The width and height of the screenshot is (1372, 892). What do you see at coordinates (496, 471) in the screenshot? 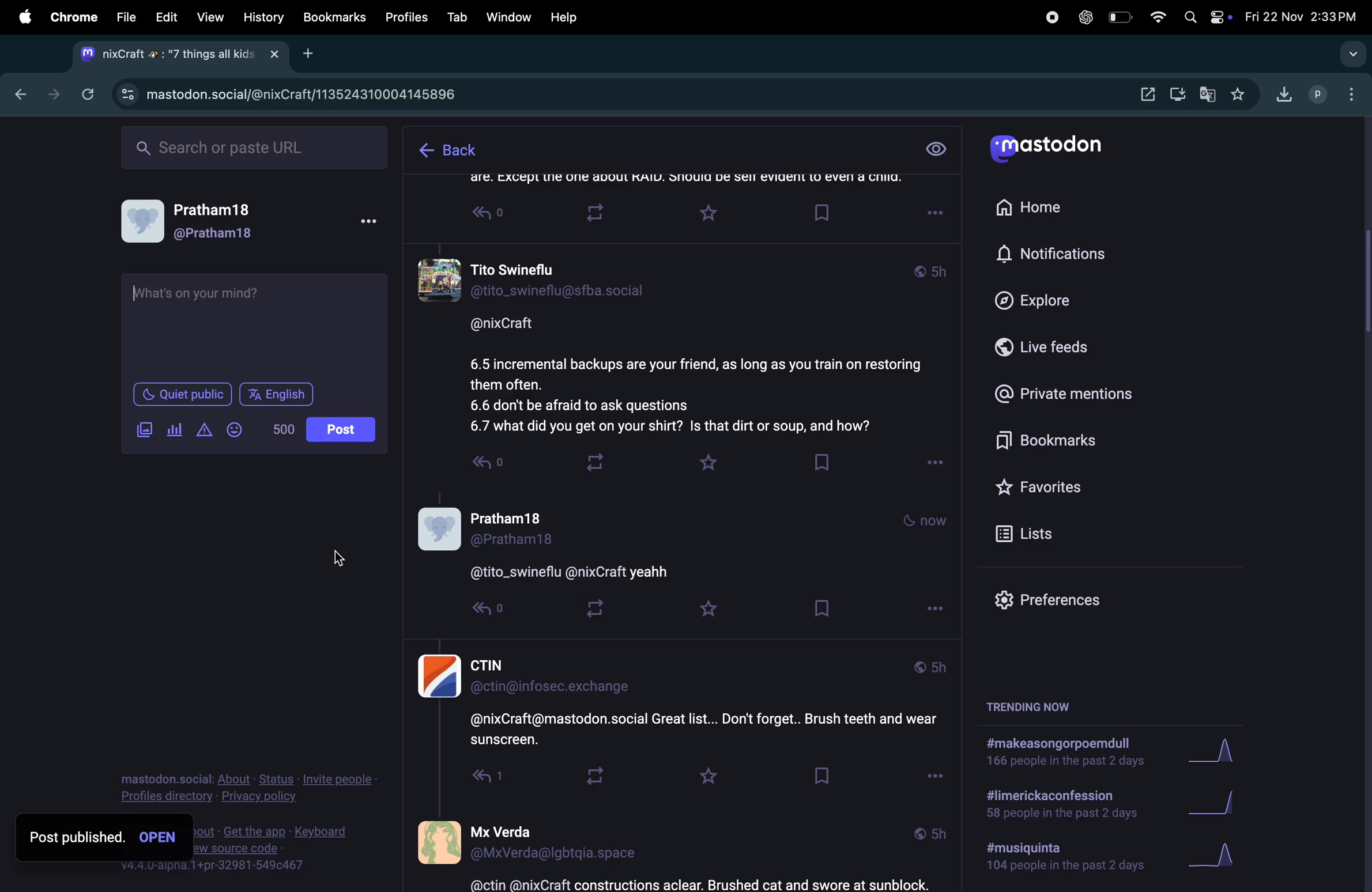
I see `read` at bounding box center [496, 471].